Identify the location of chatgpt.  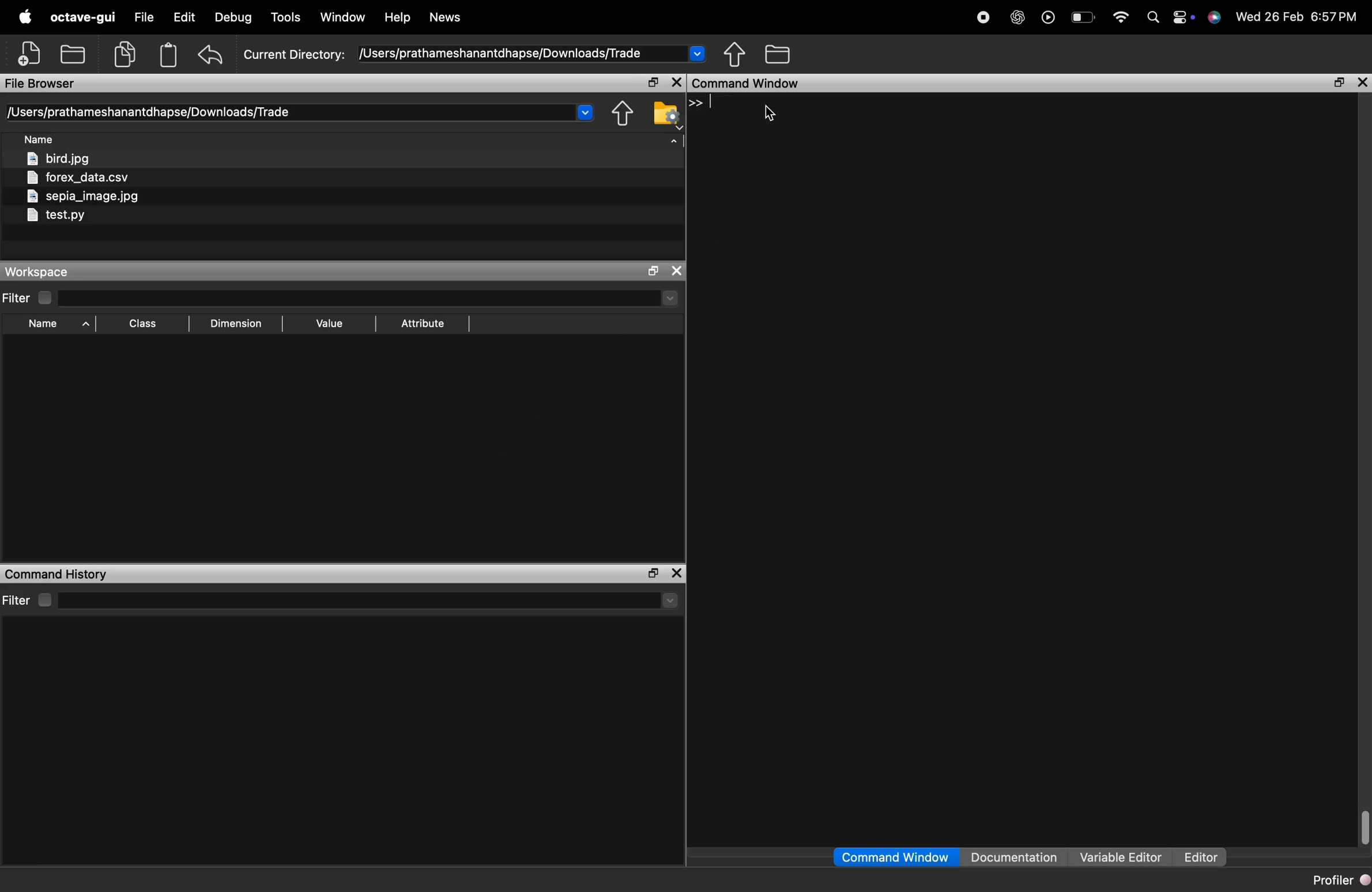
(1019, 17).